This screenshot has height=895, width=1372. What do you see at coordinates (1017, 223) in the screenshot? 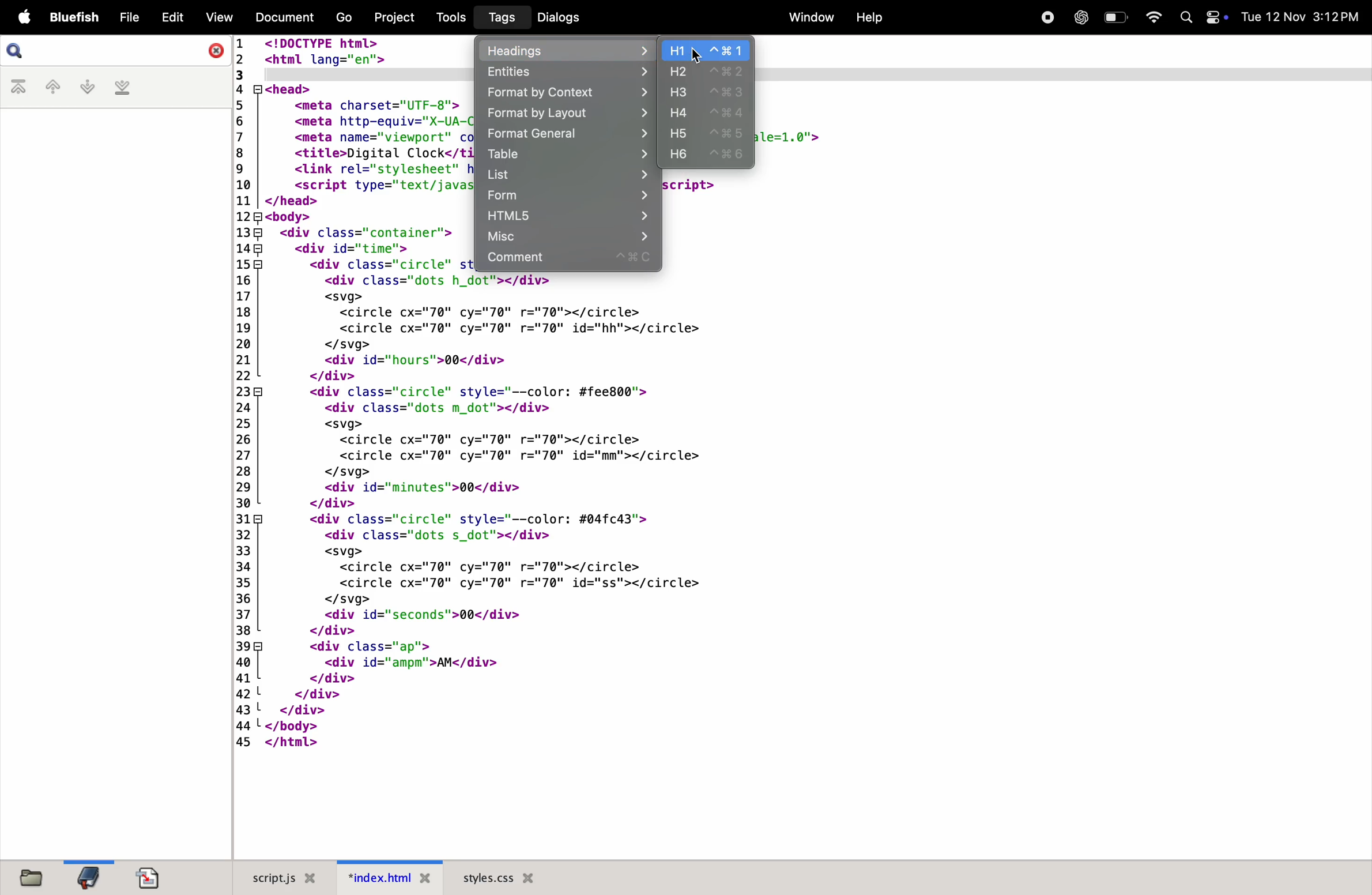
I see `code using html, css, javascript to build a digital clock. The code contains <head> that has a <title> <link> and <script type>. <Body> contains different <id> and <class>` at bounding box center [1017, 223].